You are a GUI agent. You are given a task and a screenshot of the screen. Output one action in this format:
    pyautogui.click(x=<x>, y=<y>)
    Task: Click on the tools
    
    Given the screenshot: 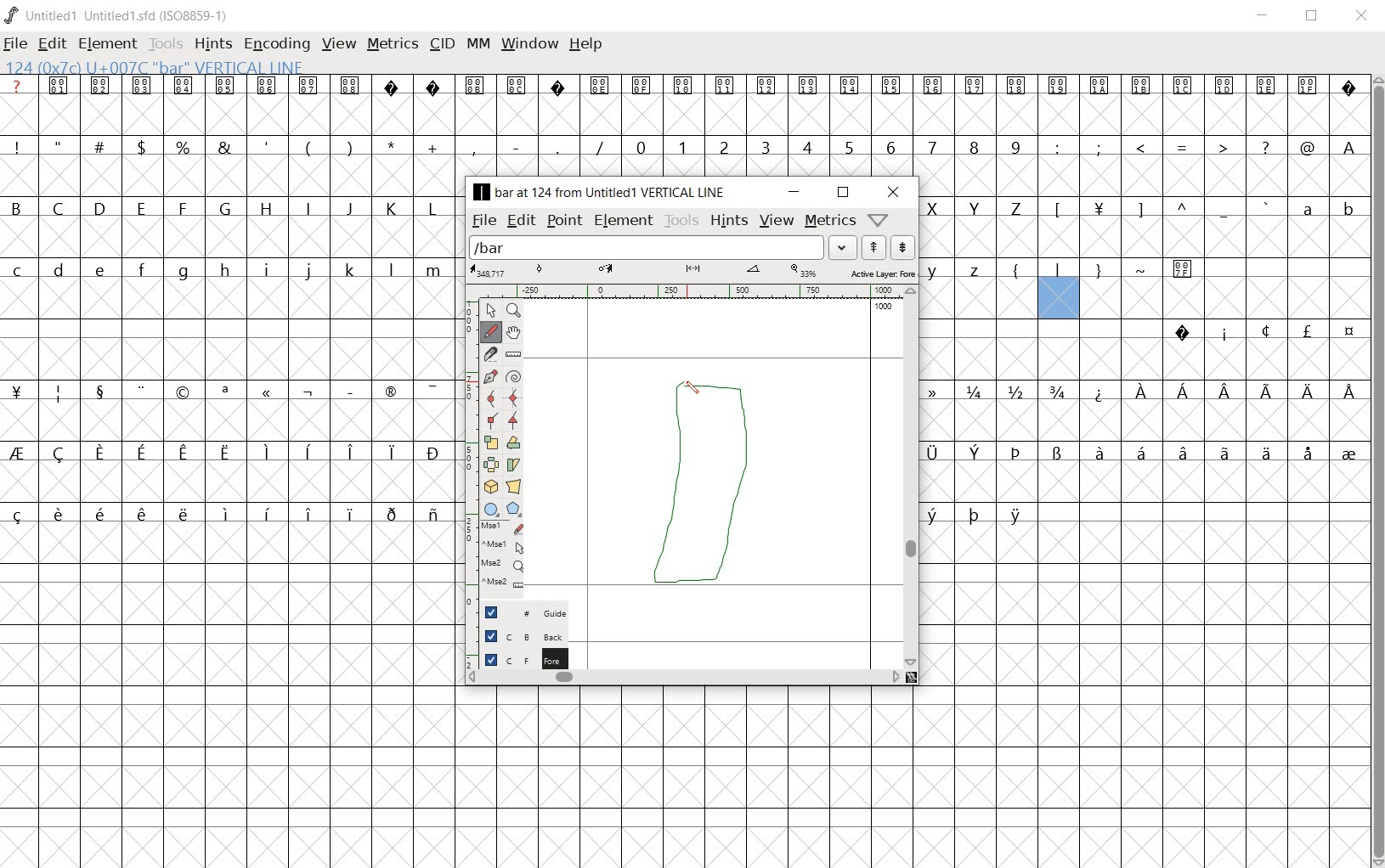 What is the action you would take?
    pyautogui.click(x=680, y=220)
    